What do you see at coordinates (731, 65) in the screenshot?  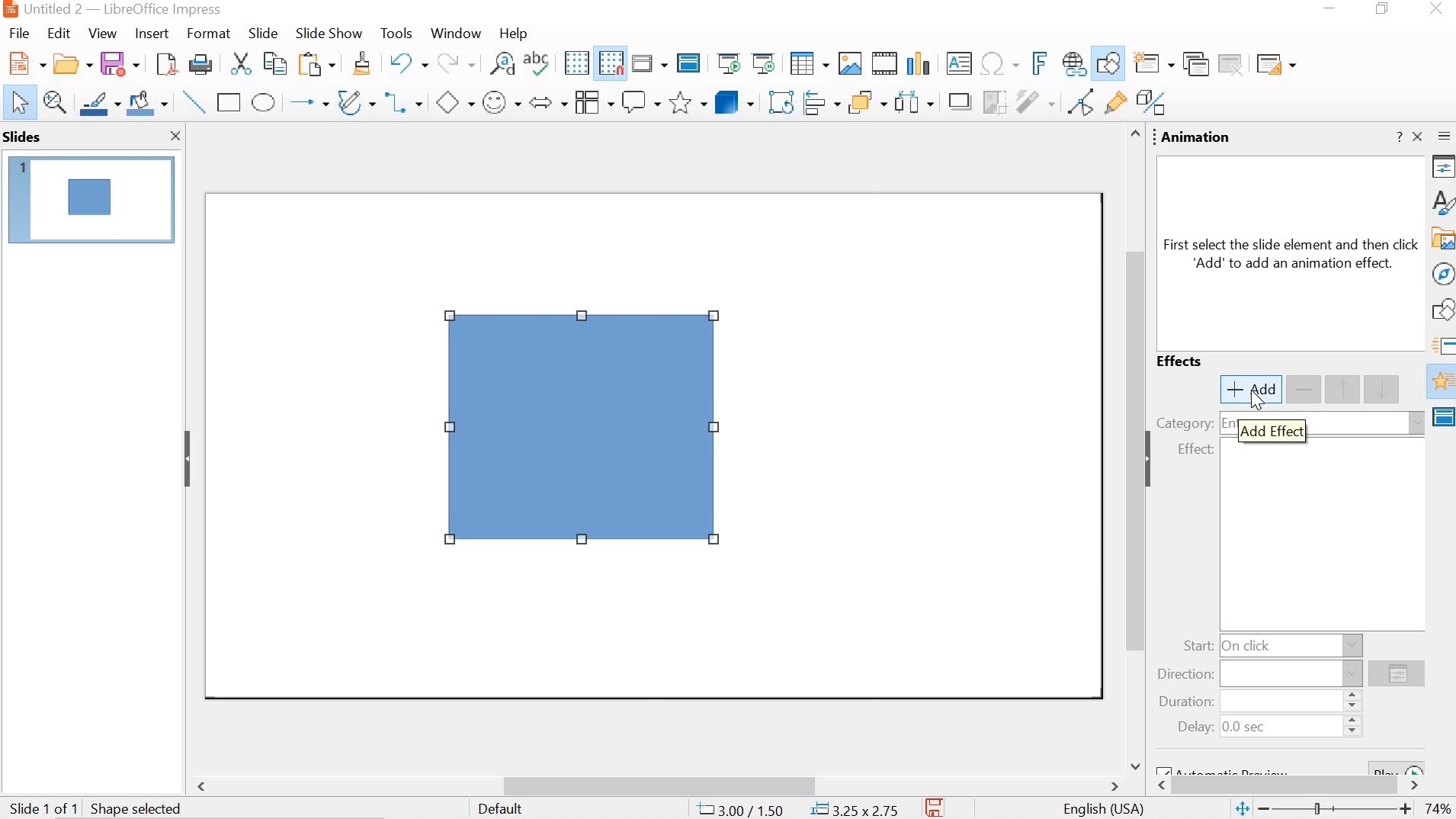 I see `start from first slide` at bounding box center [731, 65].